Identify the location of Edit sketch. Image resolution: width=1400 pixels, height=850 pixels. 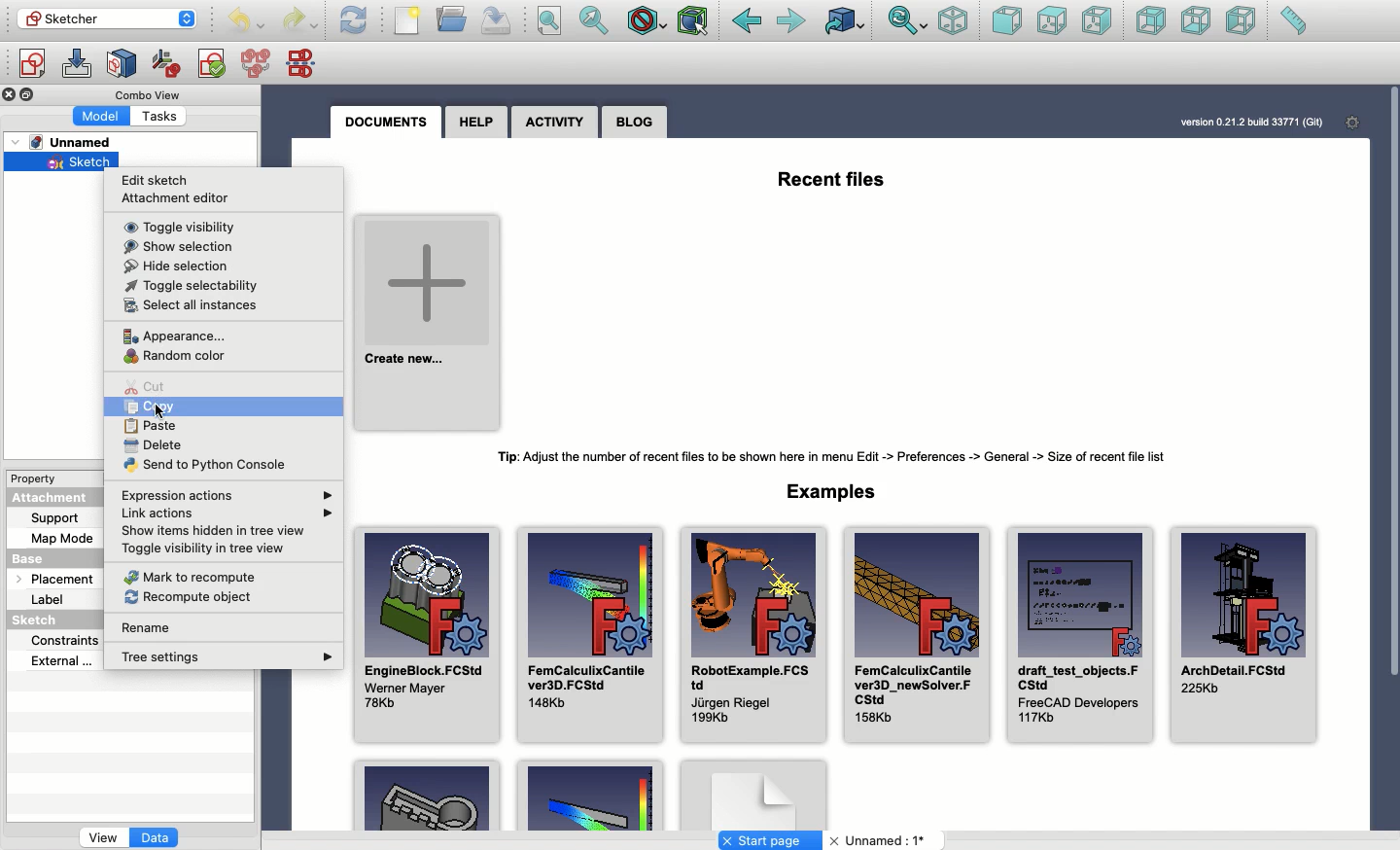
(77, 64).